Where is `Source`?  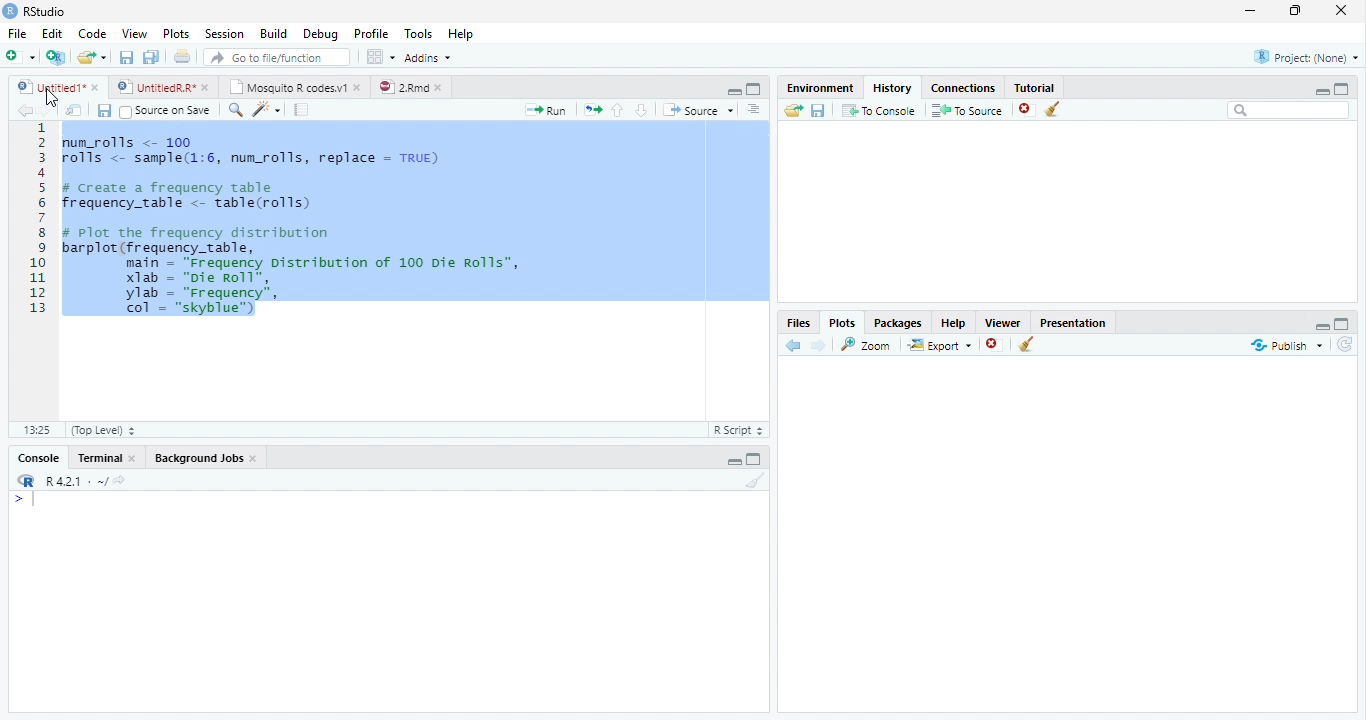 Source is located at coordinates (698, 111).